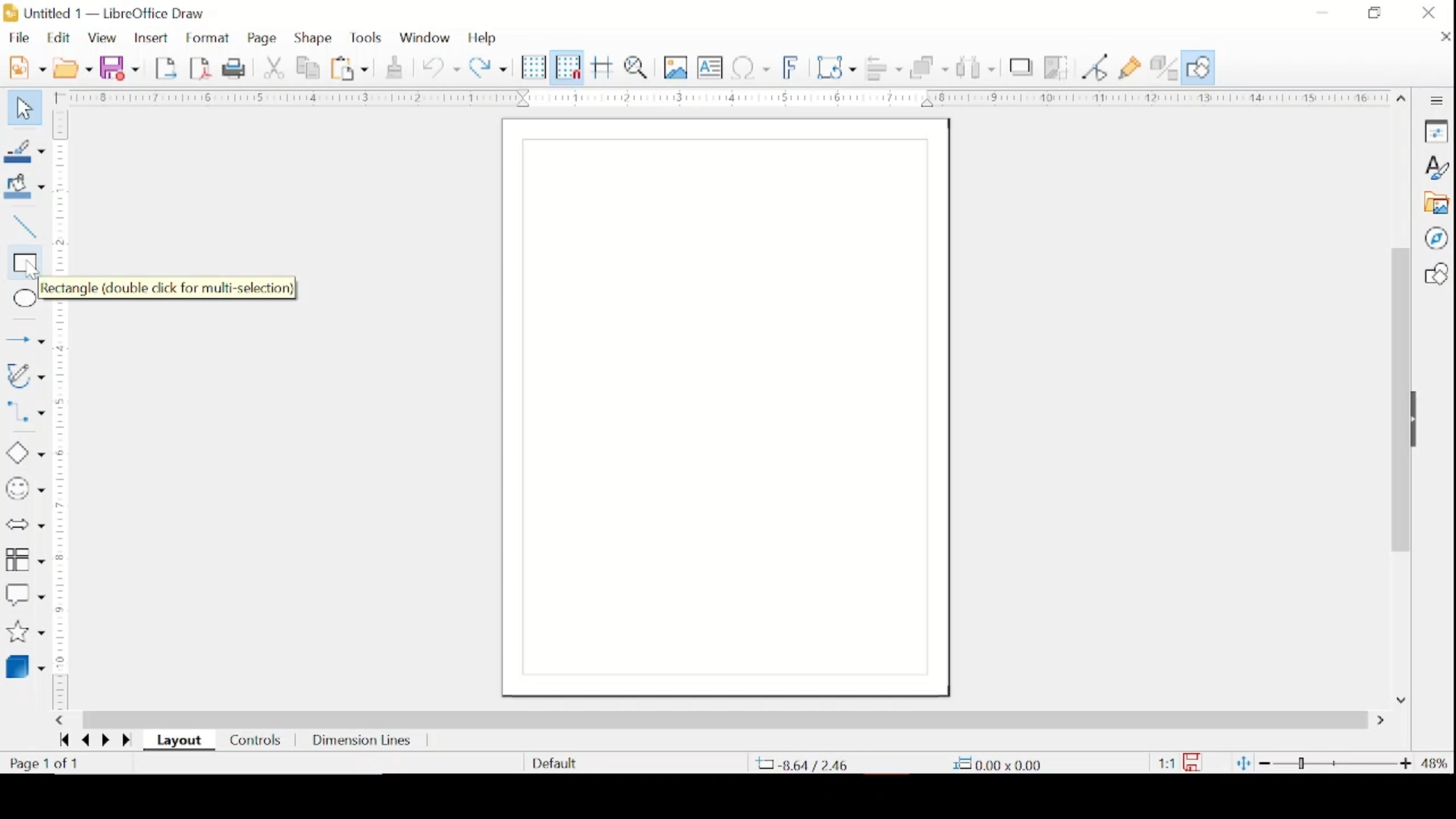 This screenshot has width=1456, height=819. I want to click on shadow, so click(1021, 67).